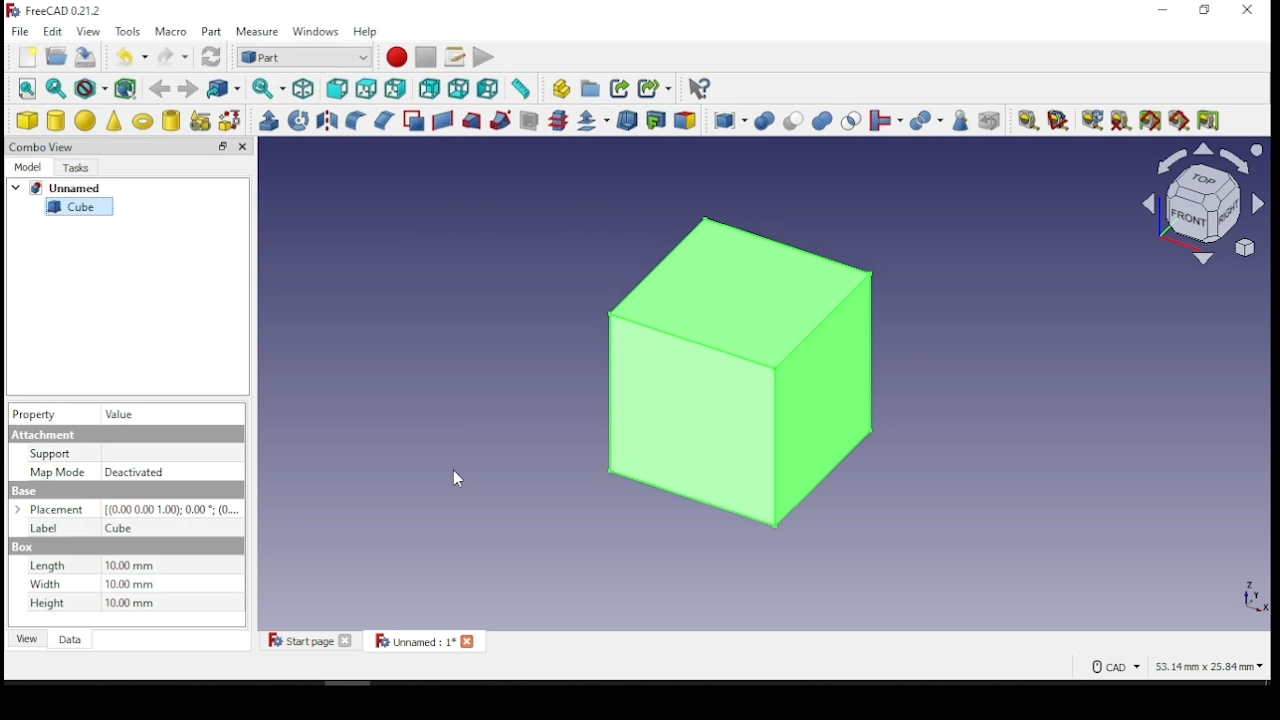 The image size is (1280, 720). I want to click on section, so click(530, 121).